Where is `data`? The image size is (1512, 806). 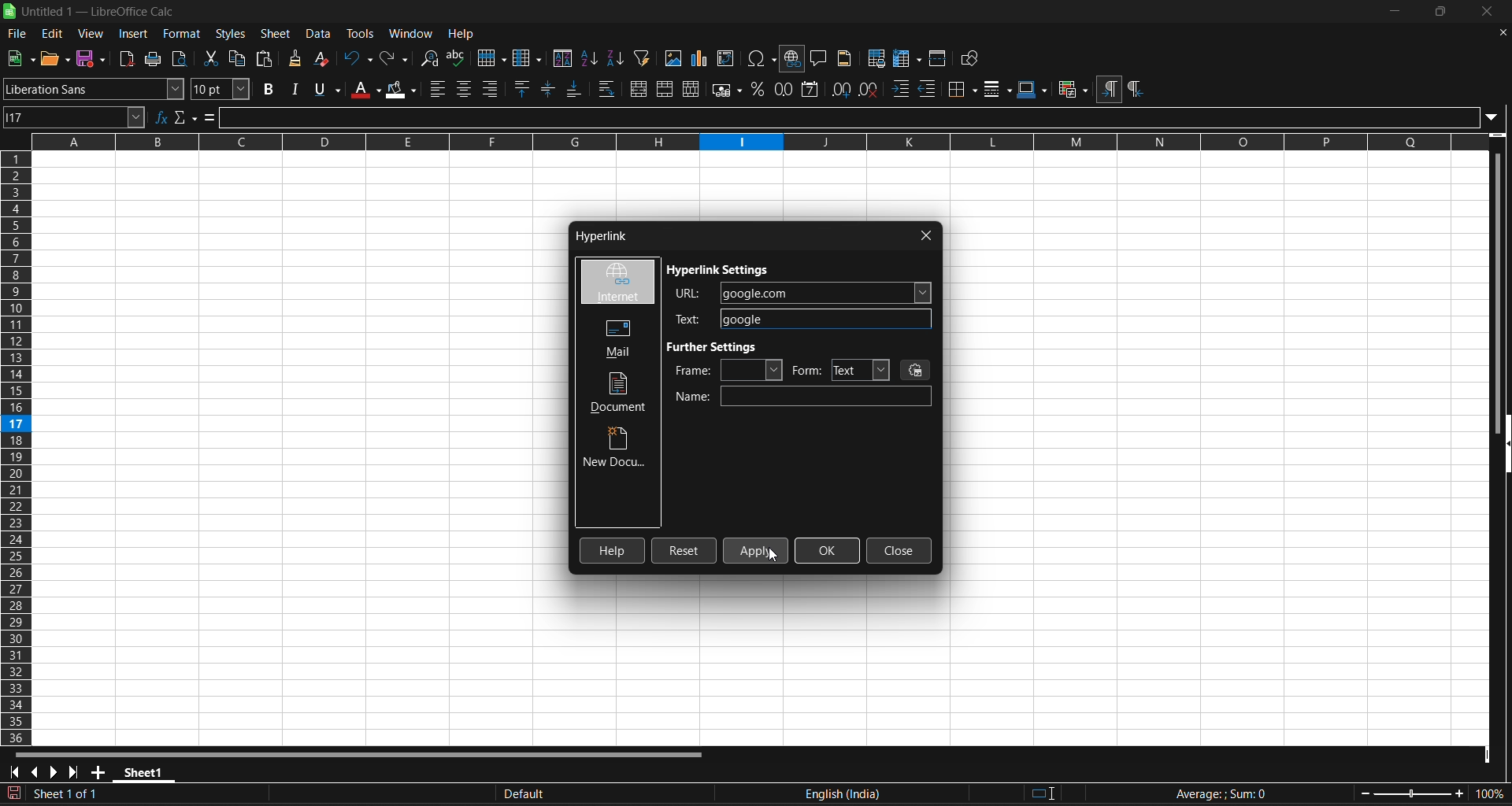 data is located at coordinates (321, 34).